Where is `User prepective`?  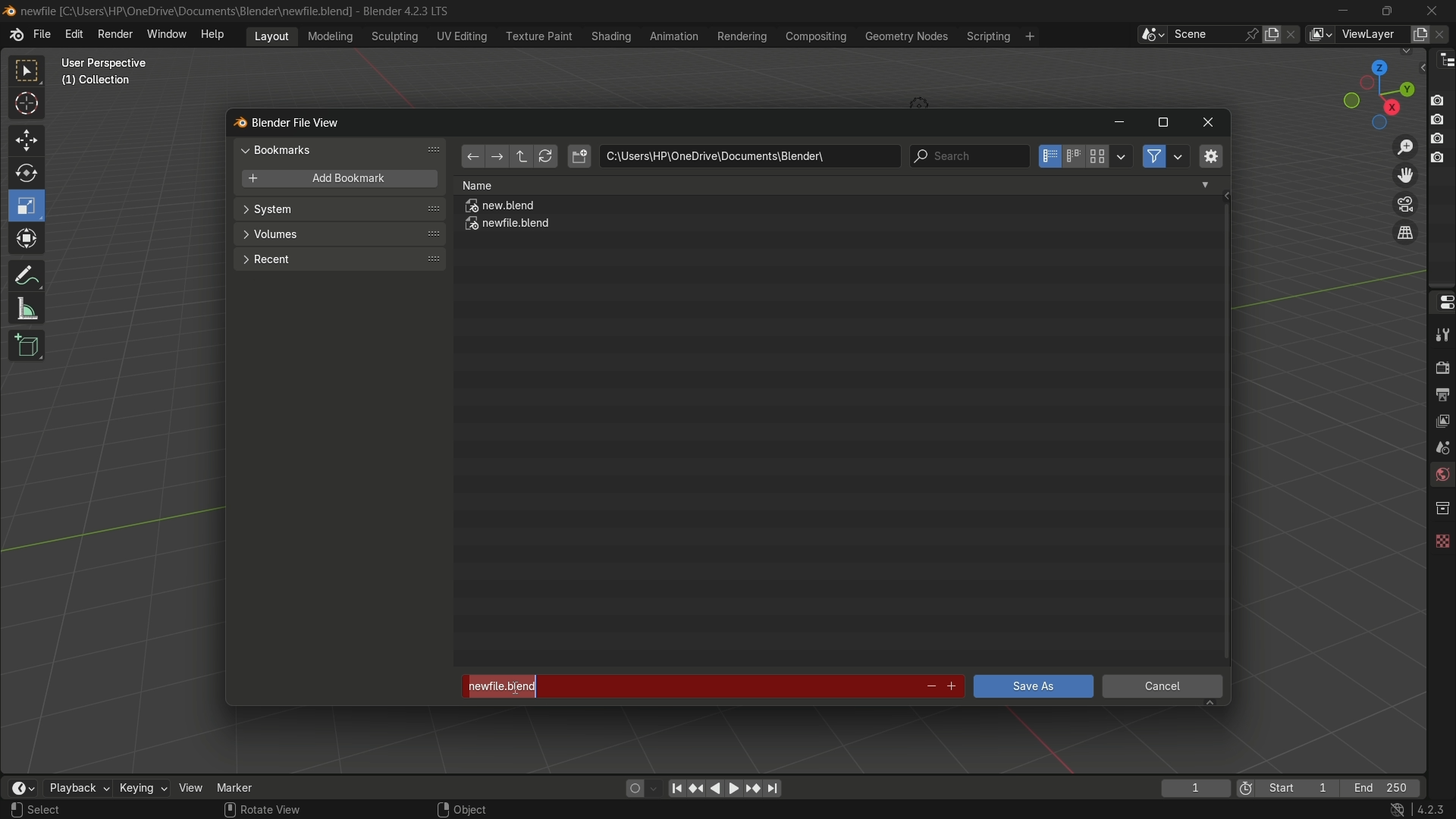
User prepective is located at coordinates (111, 63).